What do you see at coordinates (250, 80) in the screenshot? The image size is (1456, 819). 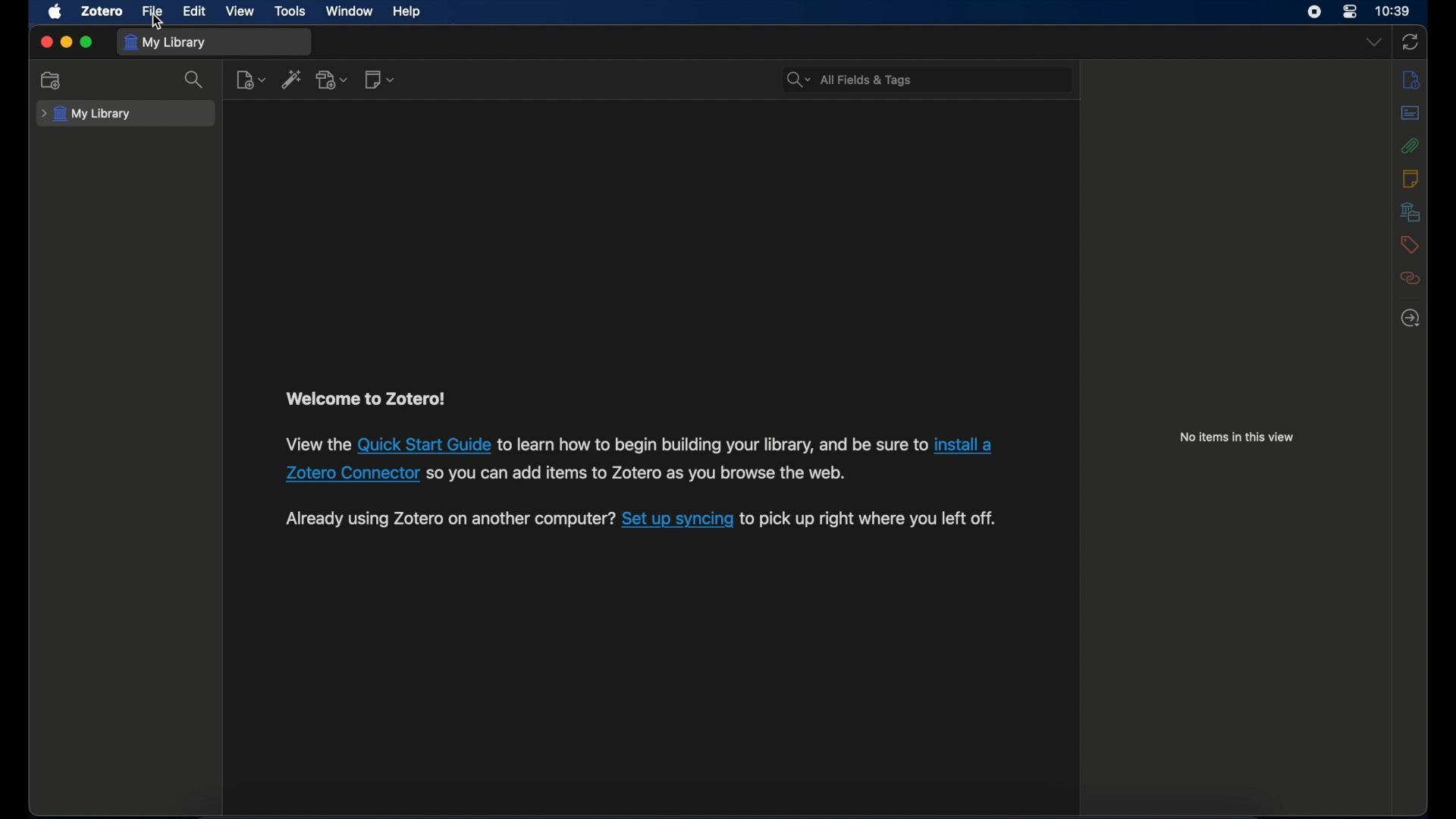 I see `new item` at bounding box center [250, 80].